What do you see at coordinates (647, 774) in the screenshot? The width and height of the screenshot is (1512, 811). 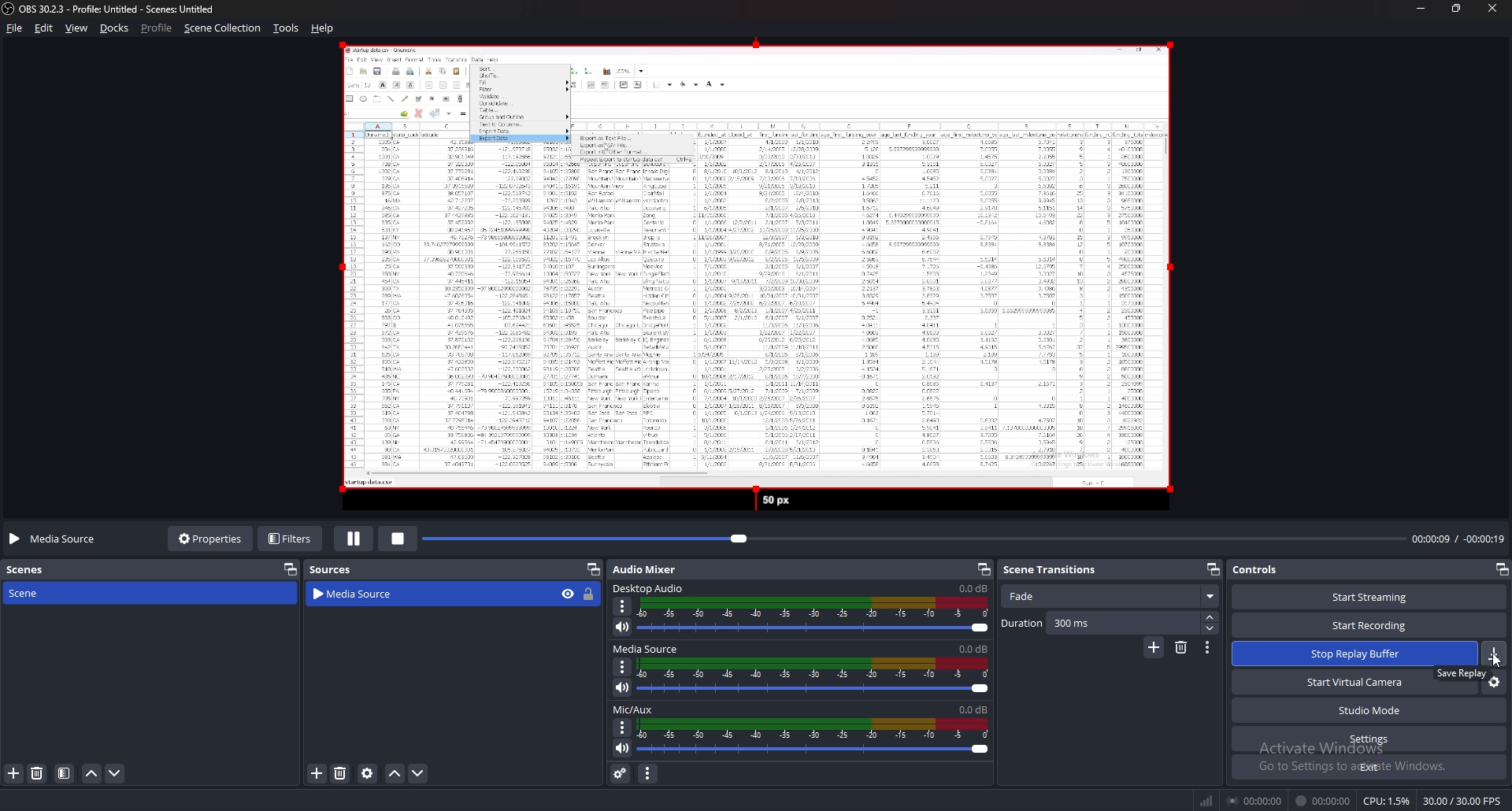 I see `audio mixer menu` at bounding box center [647, 774].